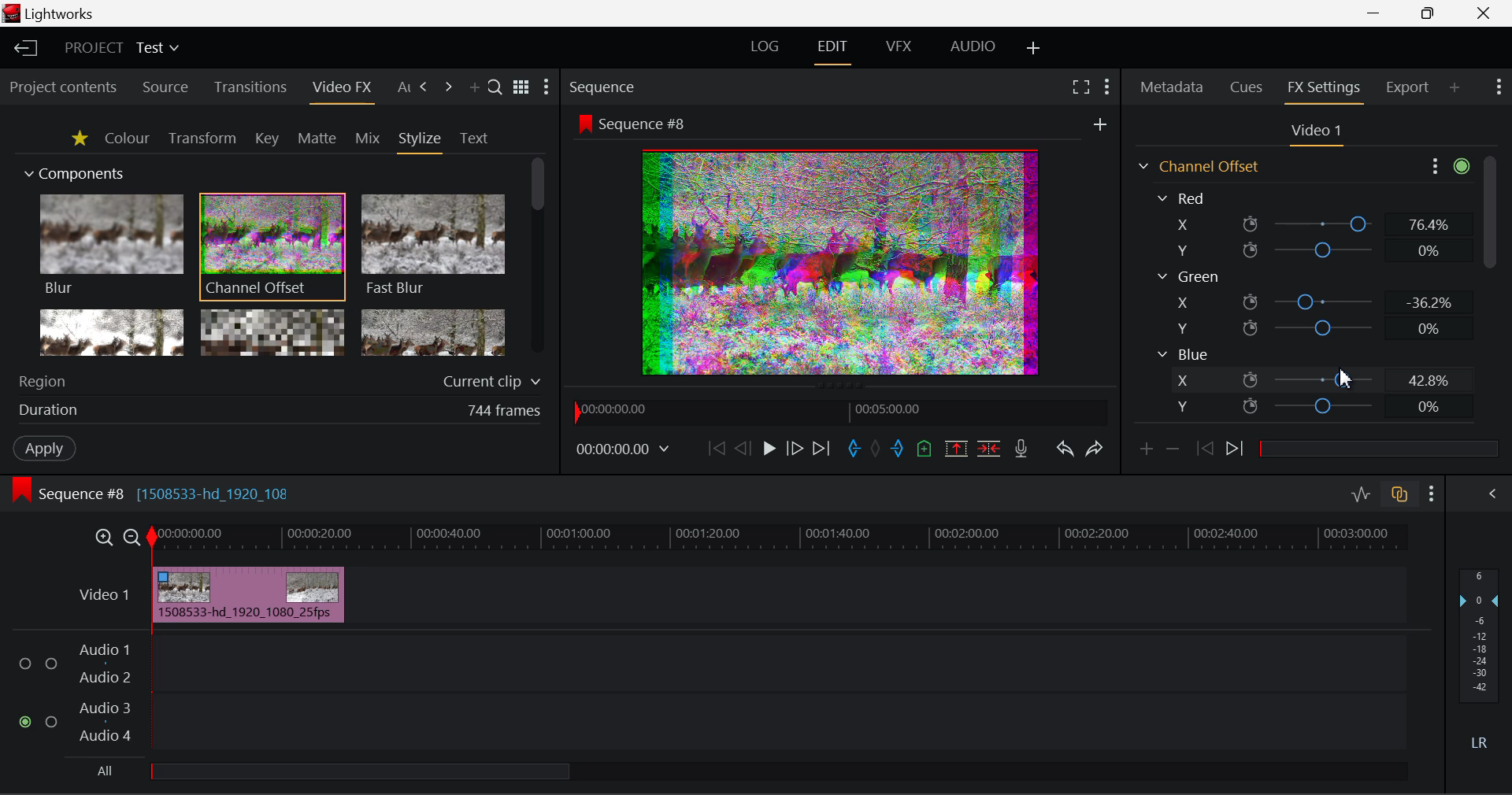 The image size is (1512, 795). I want to click on Add Panel, so click(474, 89).